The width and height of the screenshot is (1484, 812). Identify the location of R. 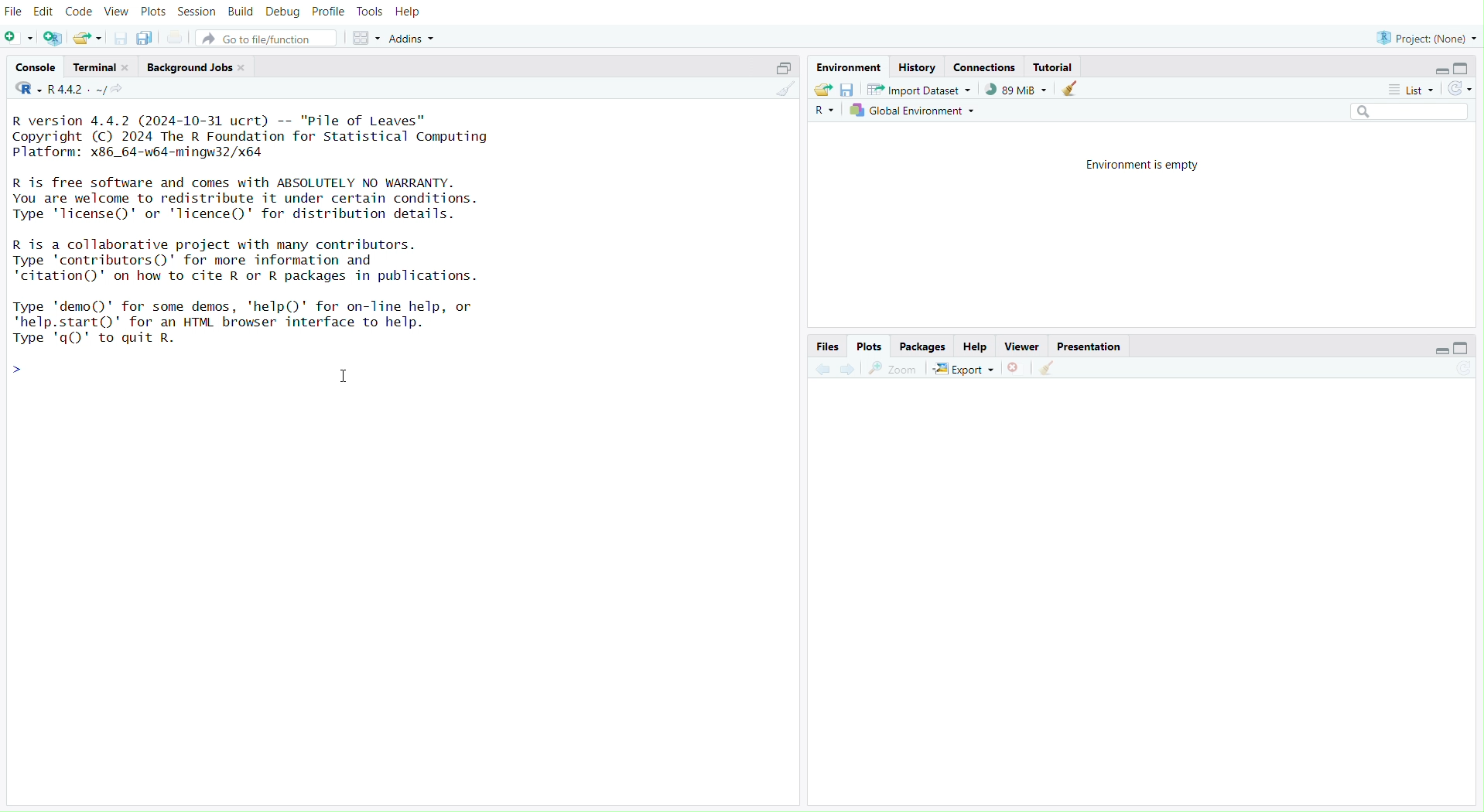
(825, 109).